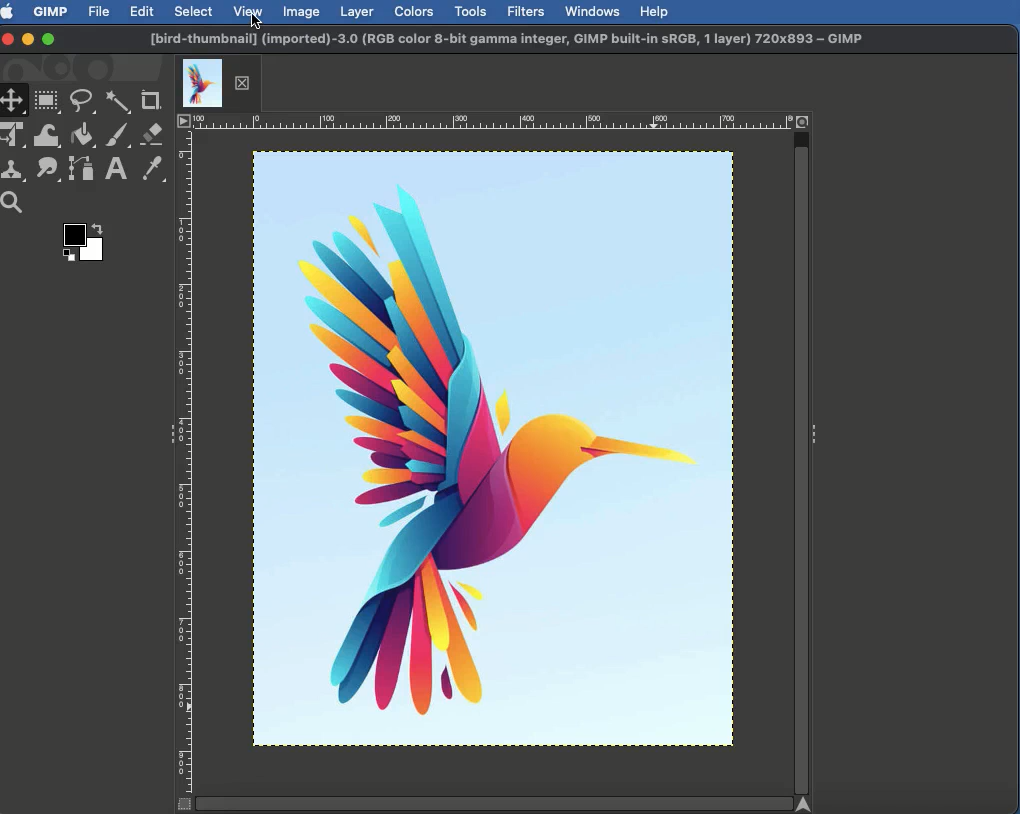 This screenshot has height=814, width=1020. I want to click on Select, so click(194, 11).